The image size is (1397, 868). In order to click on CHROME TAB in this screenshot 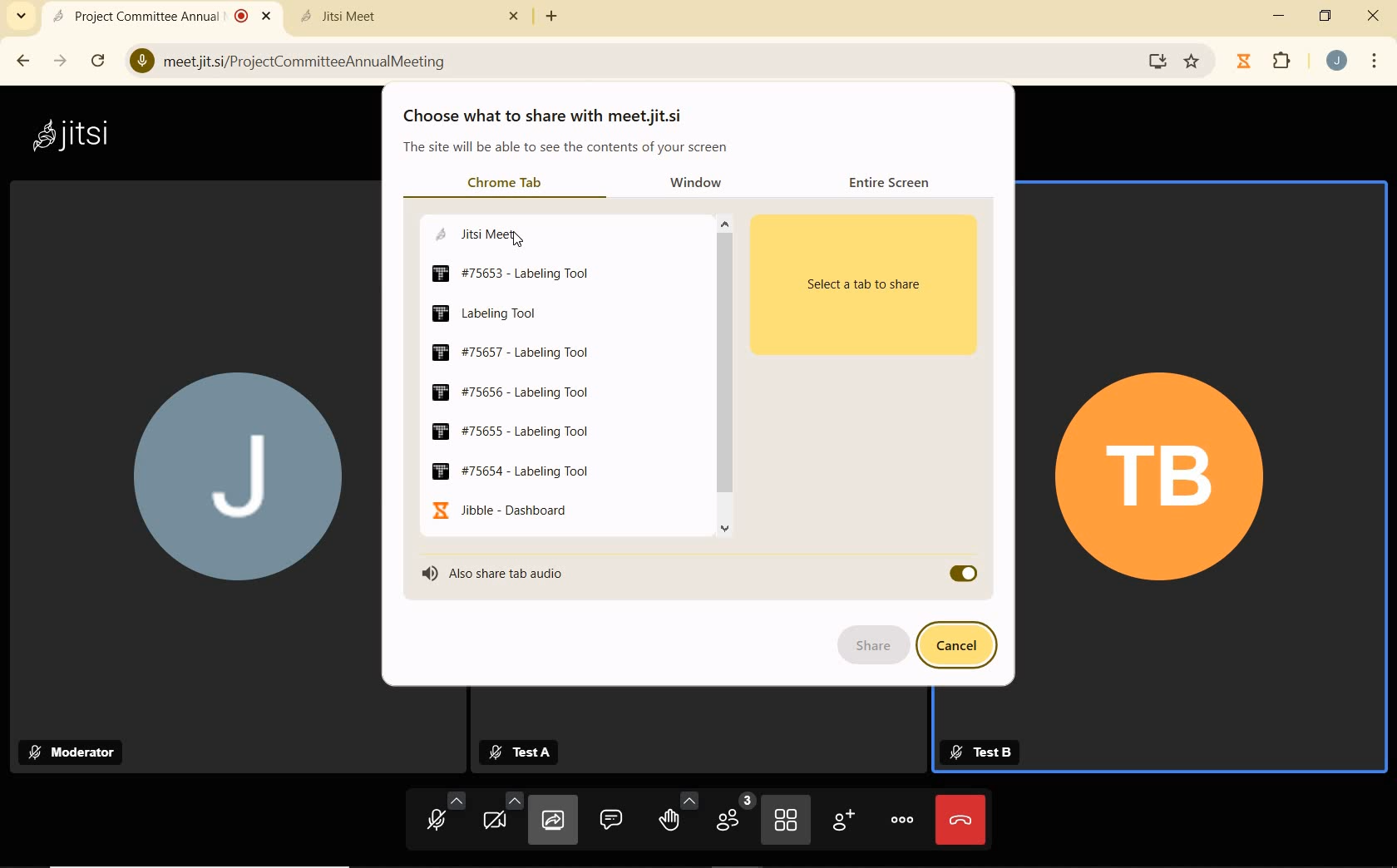, I will do `click(504, 184)`.